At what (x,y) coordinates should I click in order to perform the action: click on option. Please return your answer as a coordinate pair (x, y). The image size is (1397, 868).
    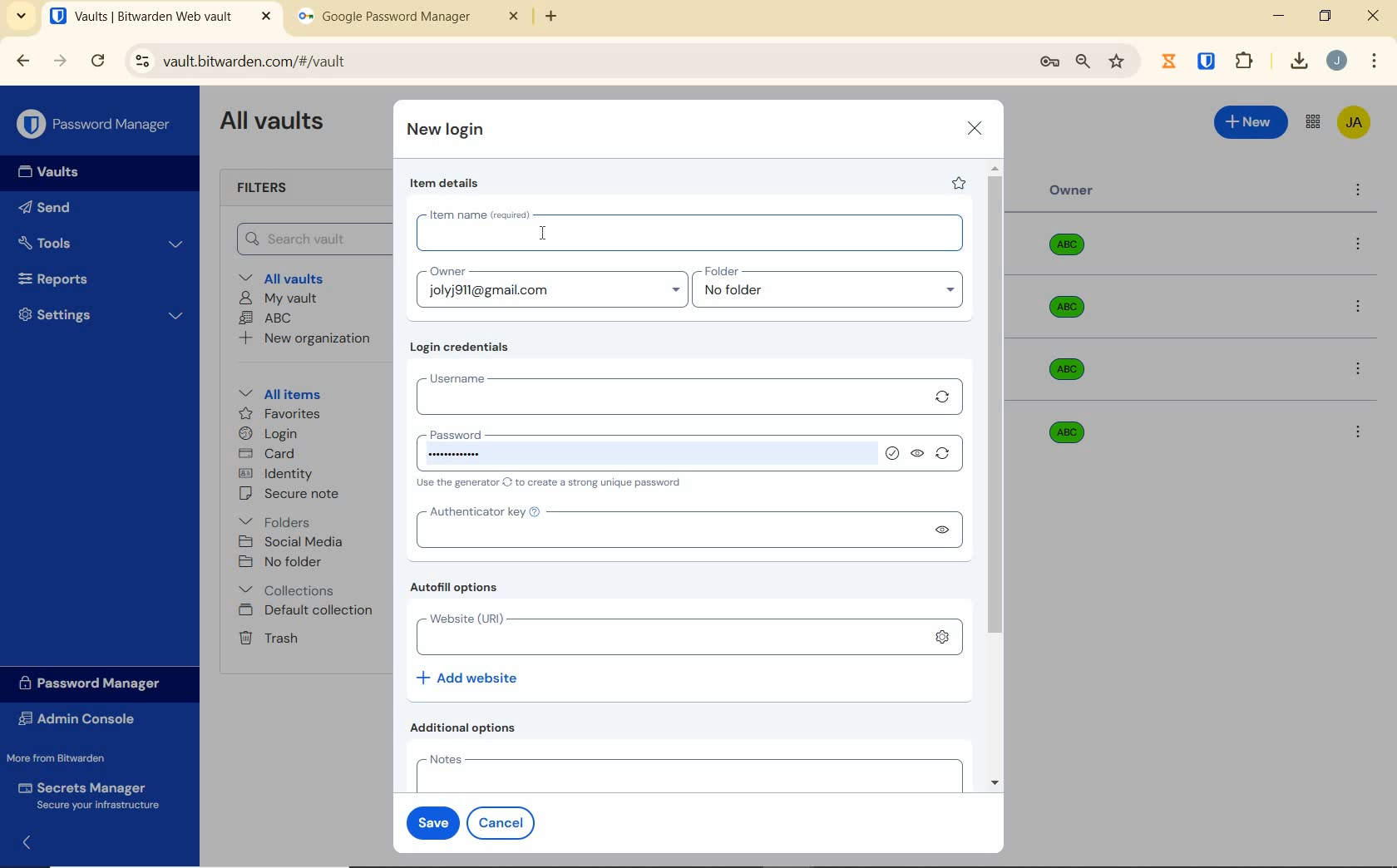
    Looking at the image, I should click on (1361, 308).